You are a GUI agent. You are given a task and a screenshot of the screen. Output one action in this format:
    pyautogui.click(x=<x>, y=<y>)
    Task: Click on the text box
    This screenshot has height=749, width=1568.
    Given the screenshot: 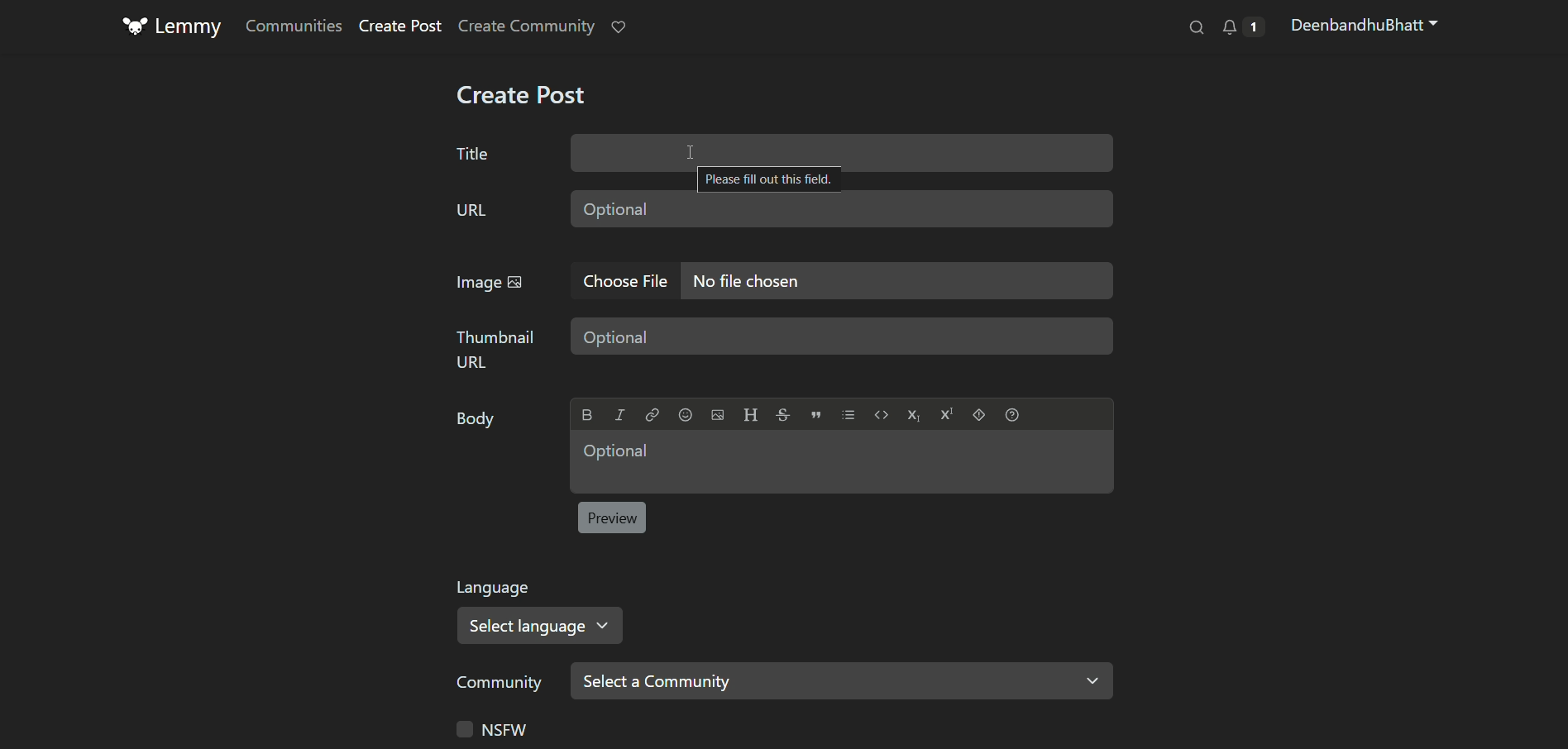 What is the action you would take?
    pyautogui.click(x=897, y=279)
    